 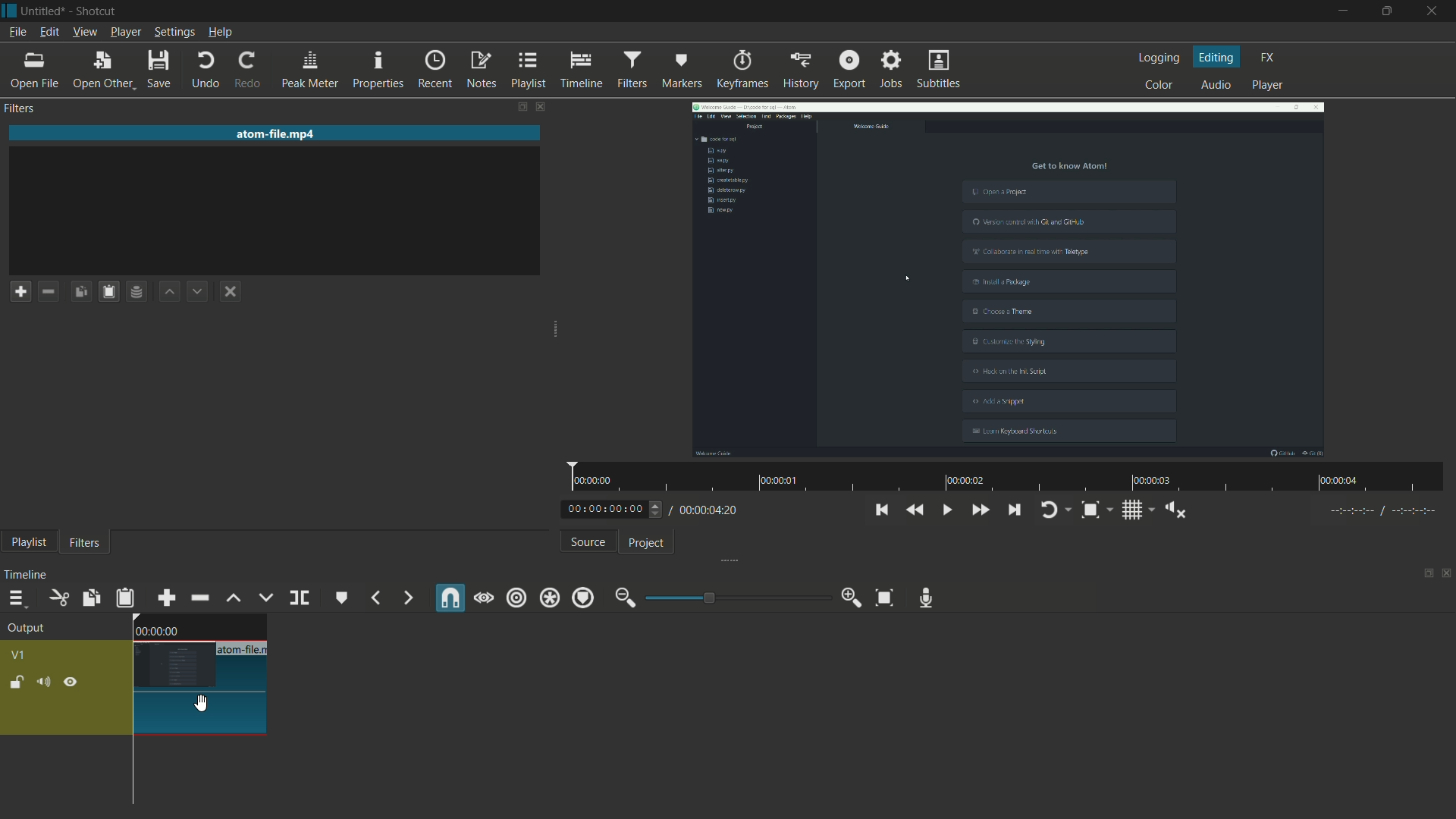 I want to click on change layout, so click(x=507, y=105).